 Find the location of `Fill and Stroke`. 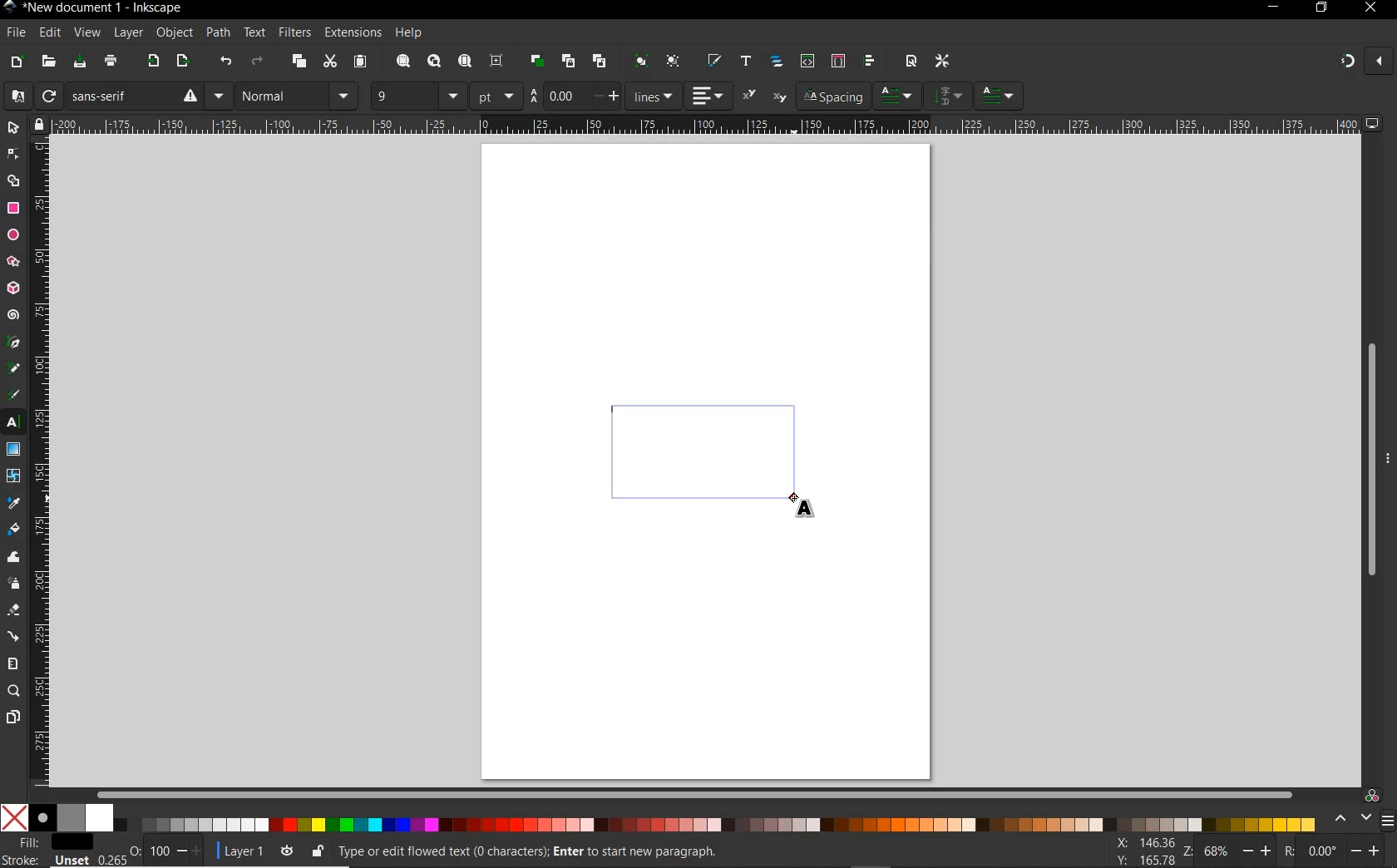

Fill and Stroke is located at coordinates (52, 842).